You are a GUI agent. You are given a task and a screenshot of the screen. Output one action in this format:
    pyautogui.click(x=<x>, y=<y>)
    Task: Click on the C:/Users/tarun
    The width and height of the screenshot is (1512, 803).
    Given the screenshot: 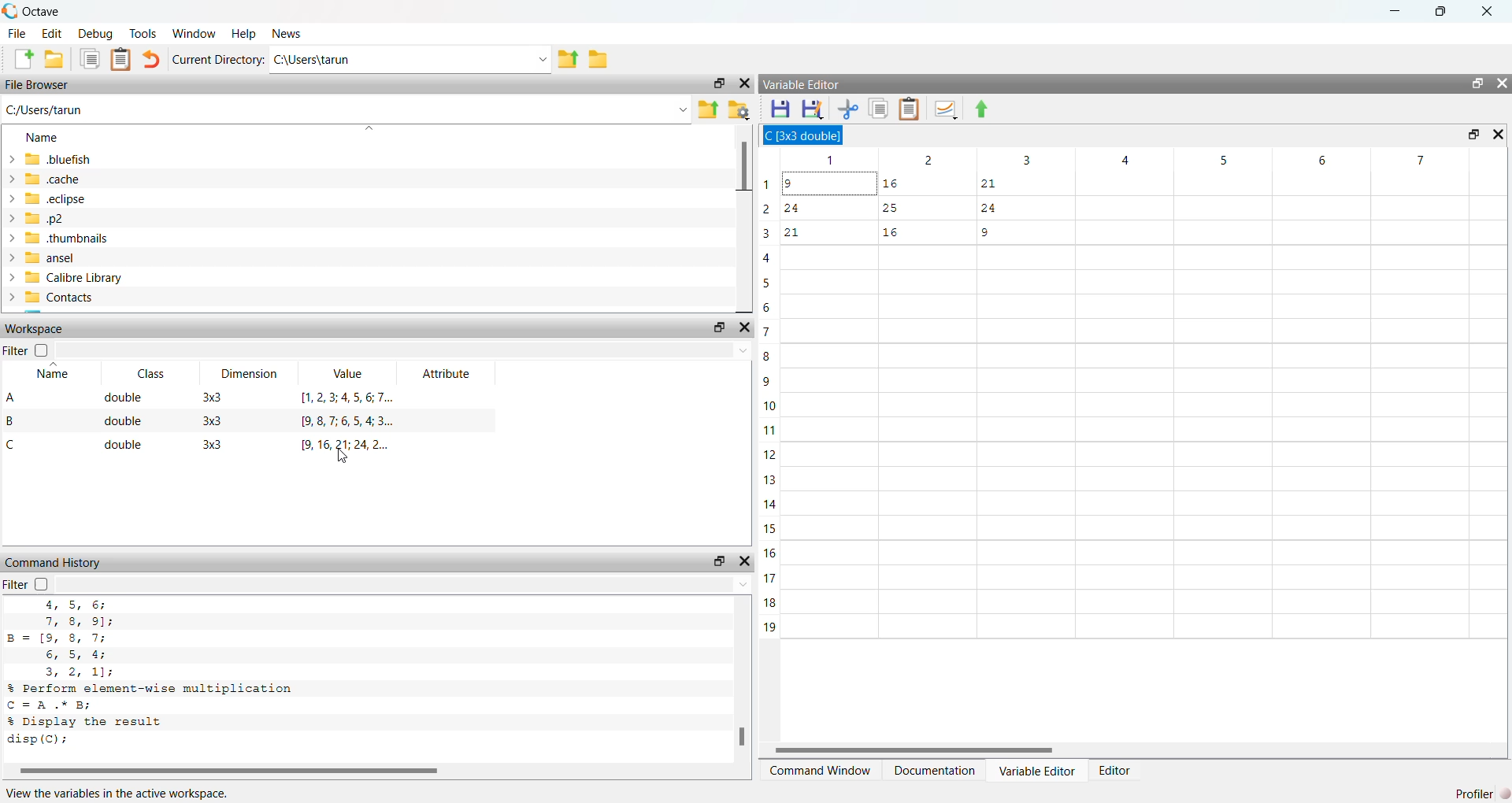 What is the action you would take?
    pyautogui.click(x=347, y=111)
    